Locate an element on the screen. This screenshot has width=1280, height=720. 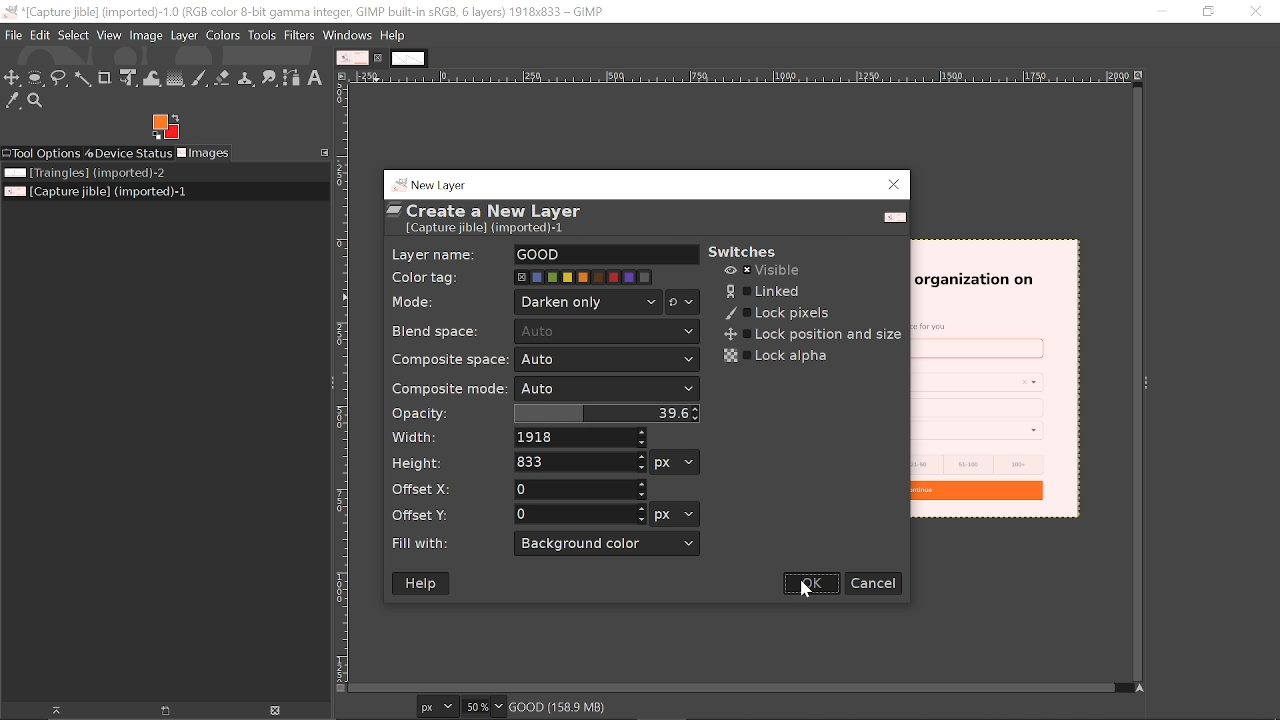
switches is located at coordinates (752, 252).